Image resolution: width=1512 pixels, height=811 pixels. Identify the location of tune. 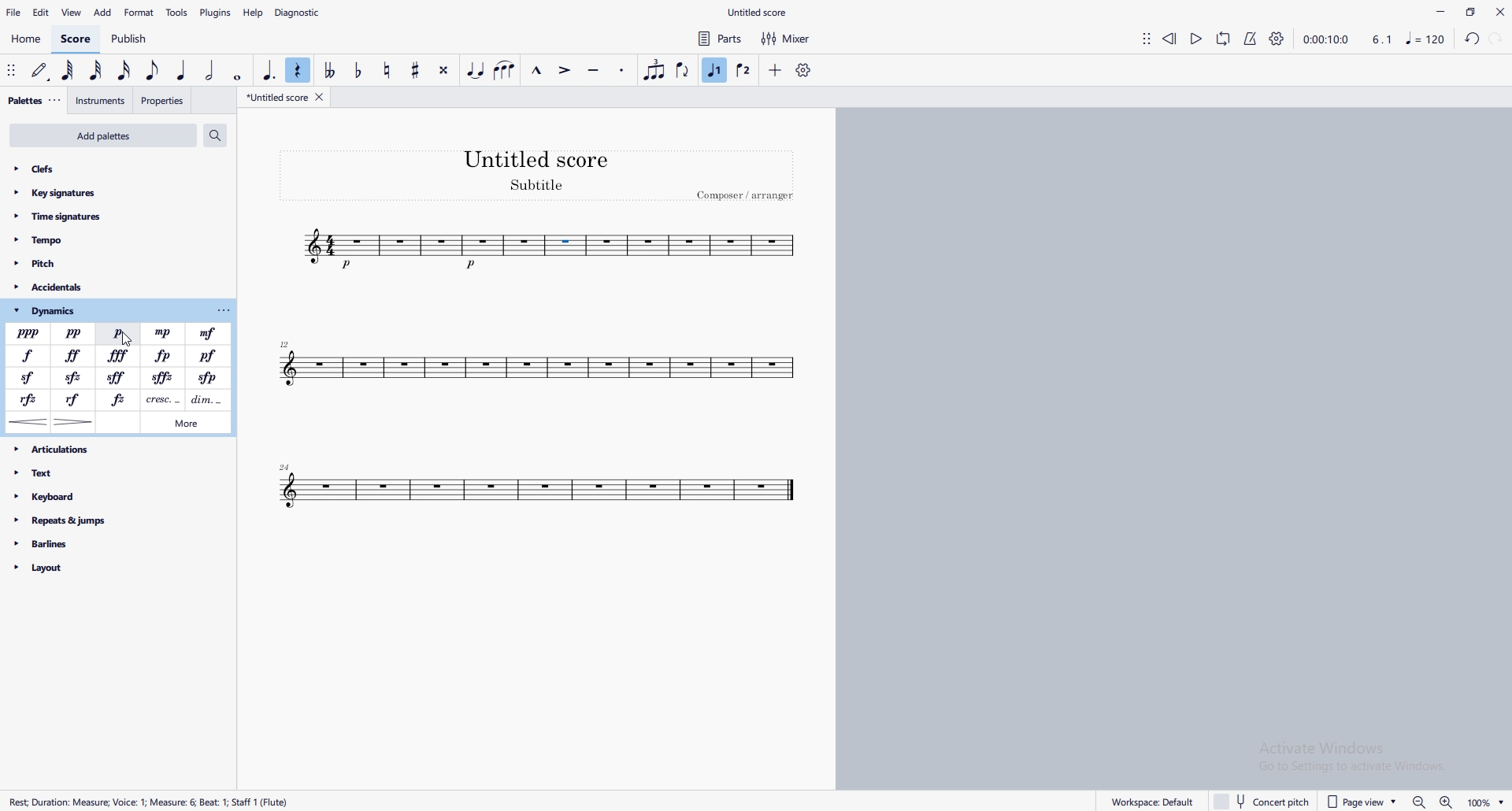
(549, 248).